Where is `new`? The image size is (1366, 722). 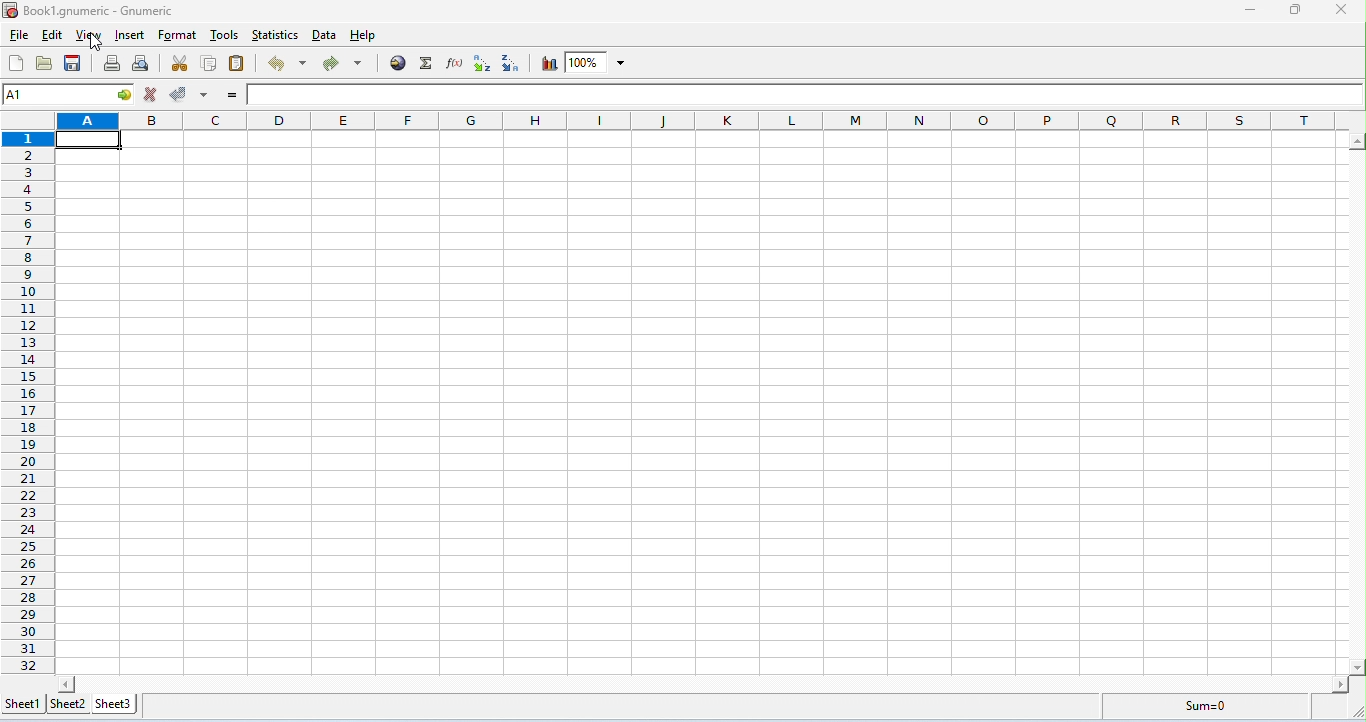
new is located at coordinates (18, 63).